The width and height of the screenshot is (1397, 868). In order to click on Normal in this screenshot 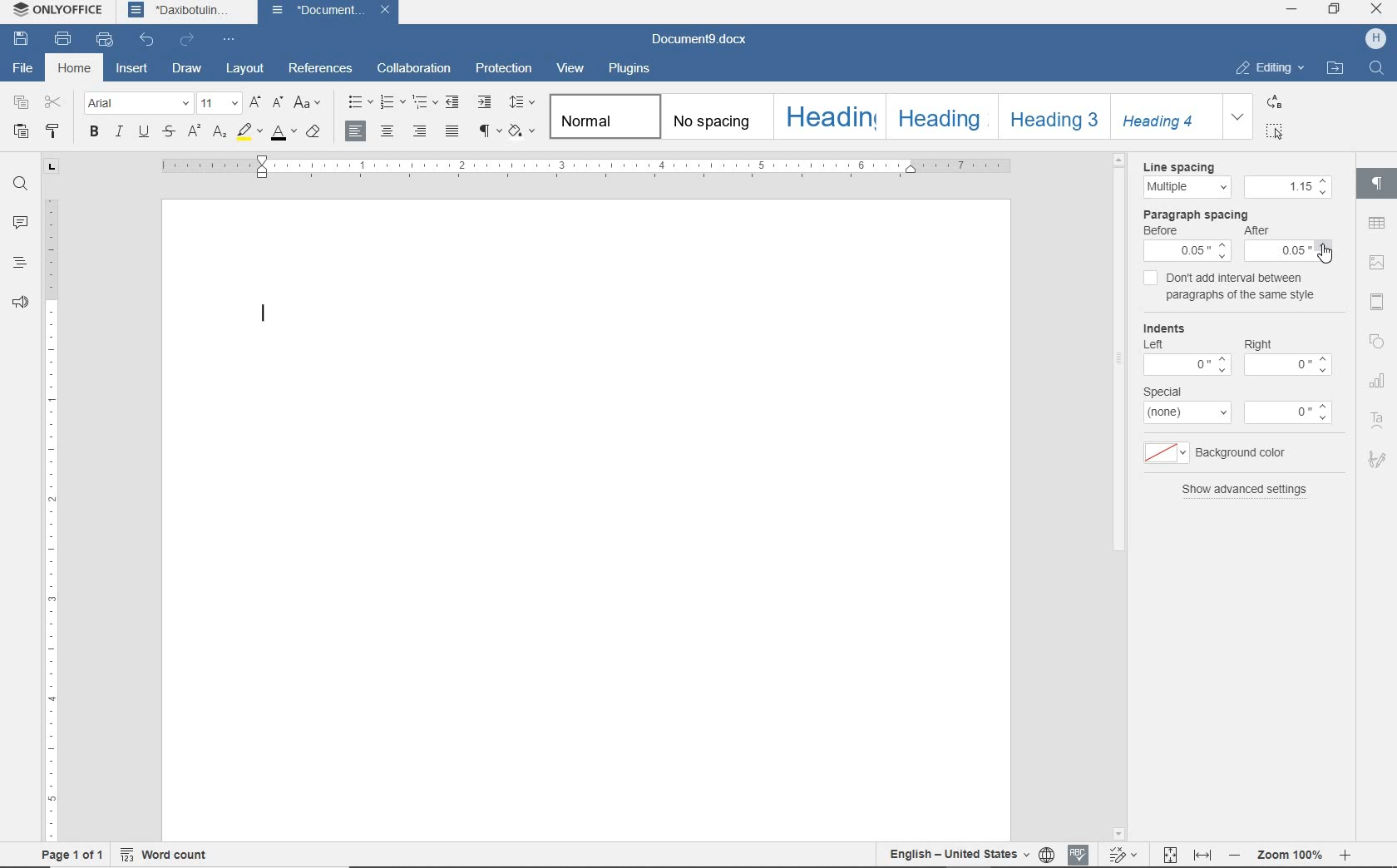, I will do `click(603, 117)`.